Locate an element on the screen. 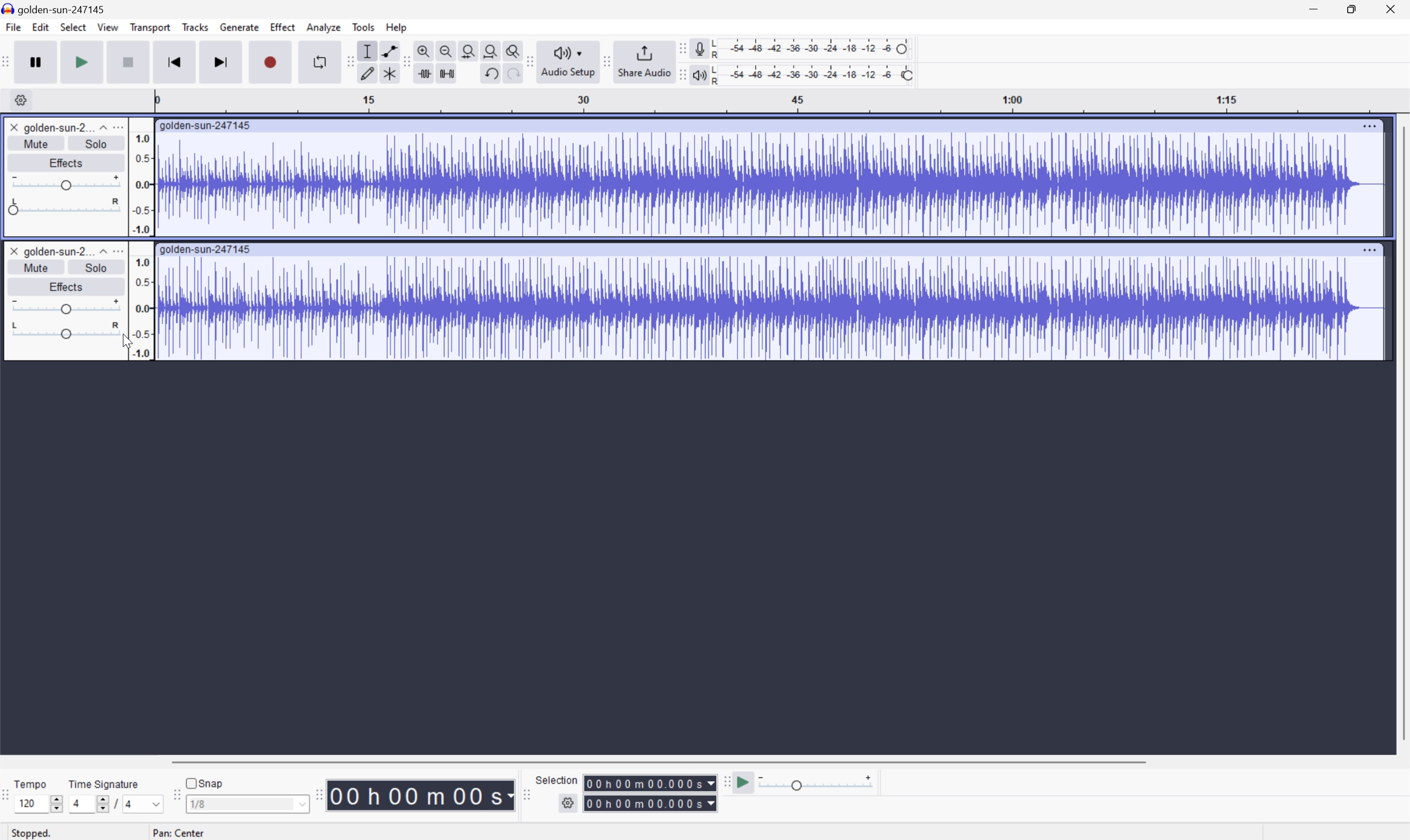 Image resolution: width=1410 pixels, height=840 pixels. Audacity Play at speed toolbar is located at coordinates (724, 780).